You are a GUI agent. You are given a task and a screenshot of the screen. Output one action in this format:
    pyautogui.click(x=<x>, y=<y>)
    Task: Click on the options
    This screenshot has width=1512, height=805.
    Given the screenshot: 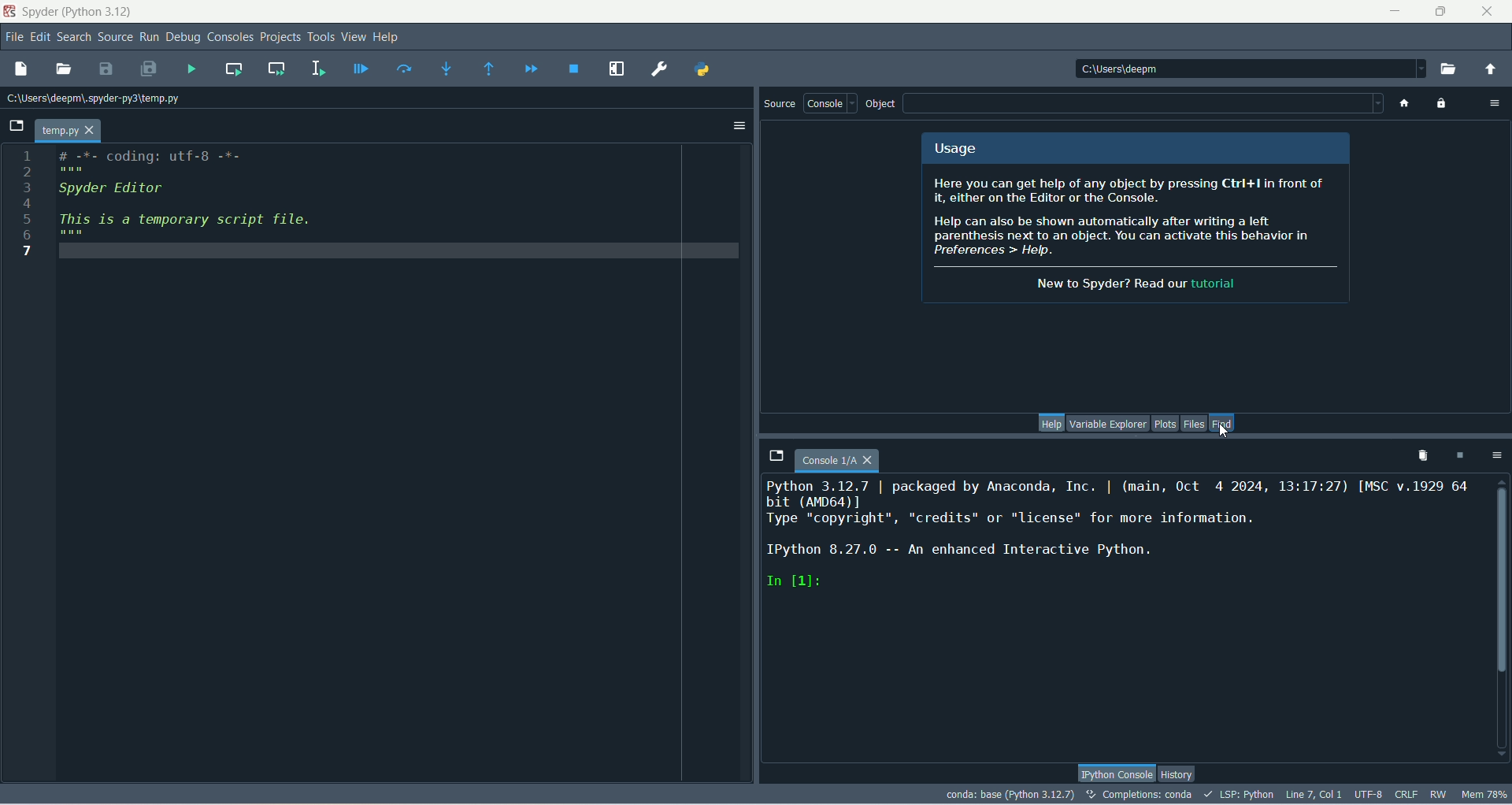 What is the action you would take?
    pyautogui.click(x=738, y=127)
    